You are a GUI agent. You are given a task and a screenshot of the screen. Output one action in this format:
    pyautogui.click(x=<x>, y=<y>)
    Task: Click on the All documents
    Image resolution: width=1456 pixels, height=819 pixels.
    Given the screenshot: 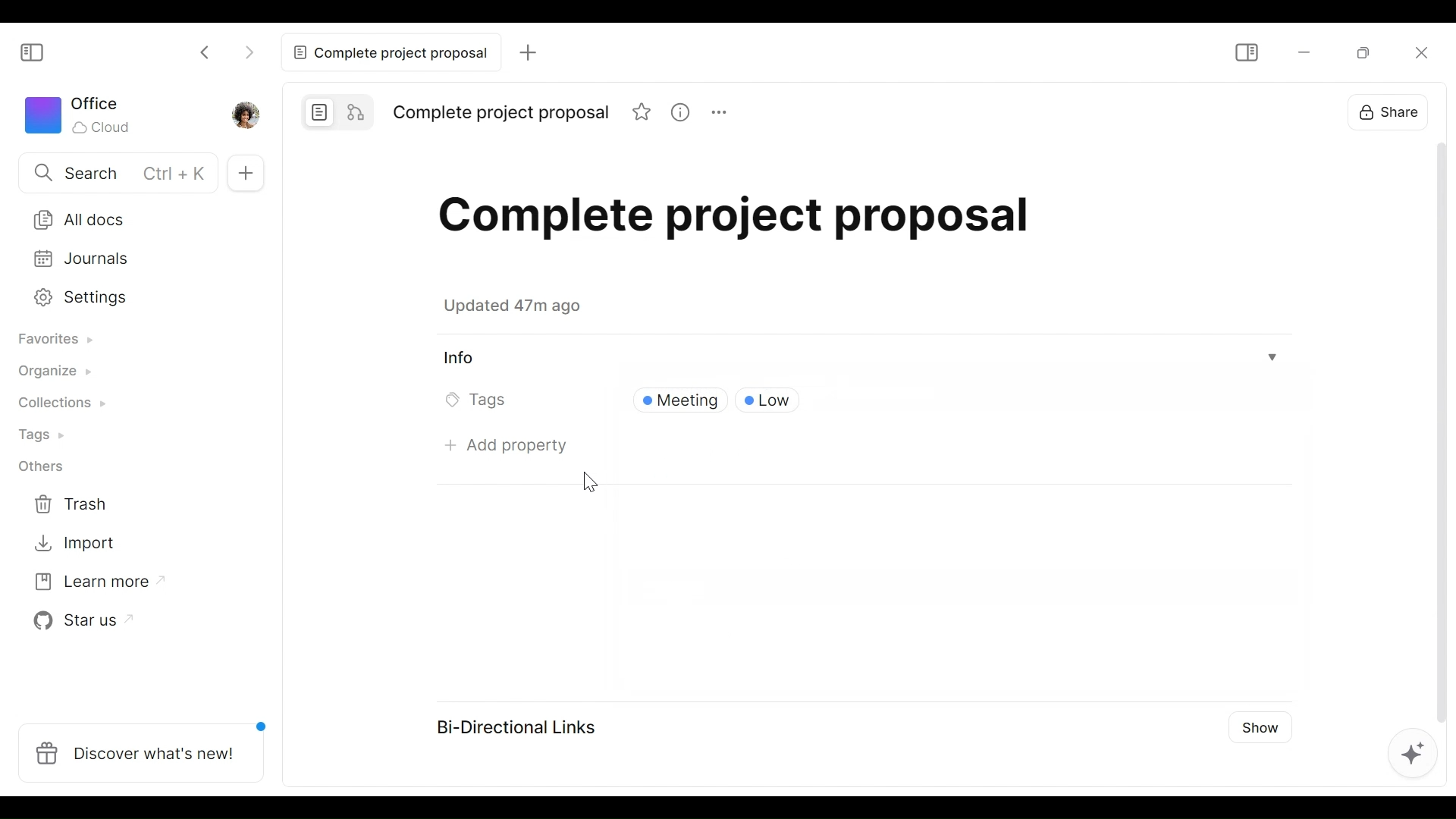 What is the action you would take?
    pyautogui.click(x=130, y=217)
    